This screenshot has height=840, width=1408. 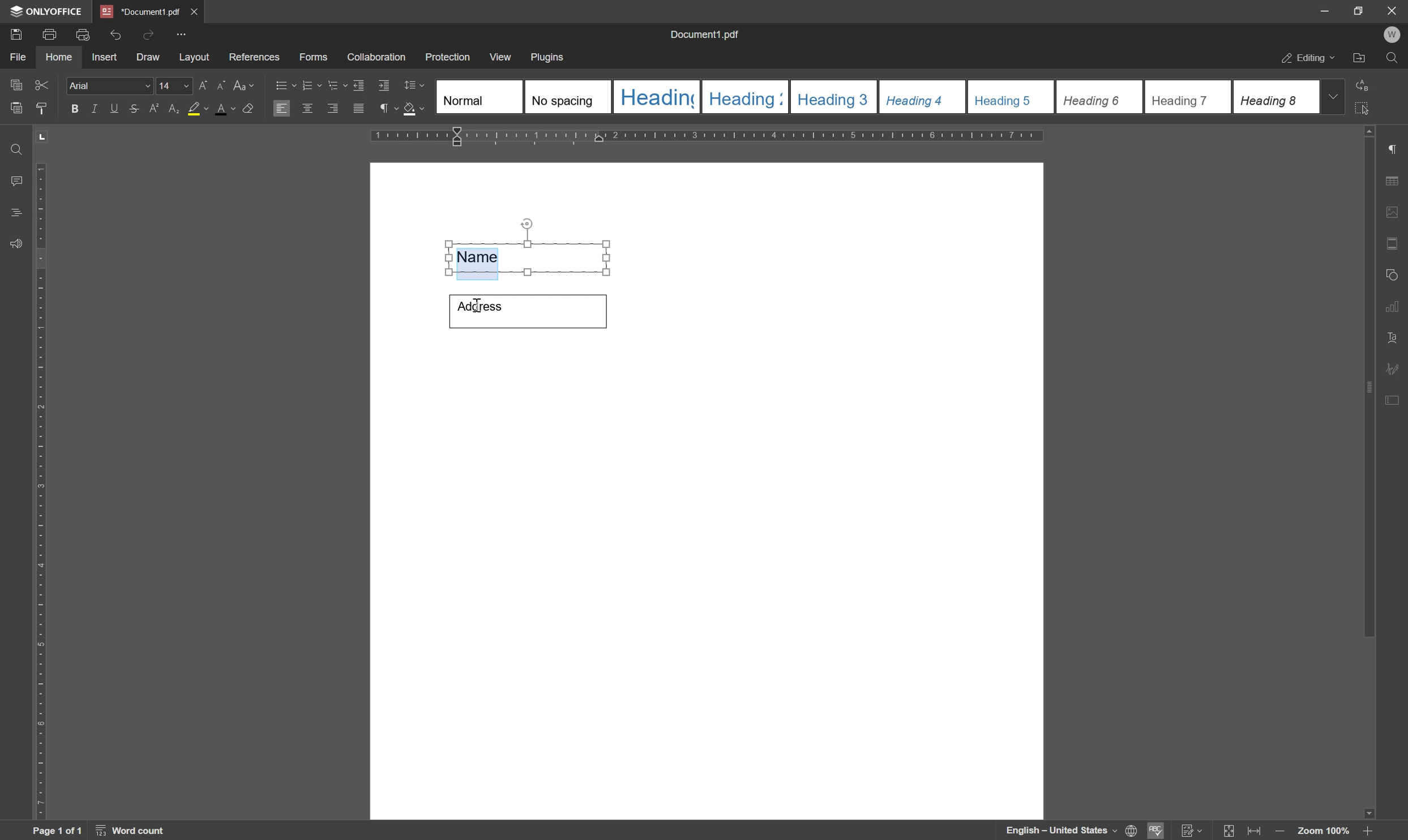 I want to click on page 1 of 1, so click(x=57, y=831).